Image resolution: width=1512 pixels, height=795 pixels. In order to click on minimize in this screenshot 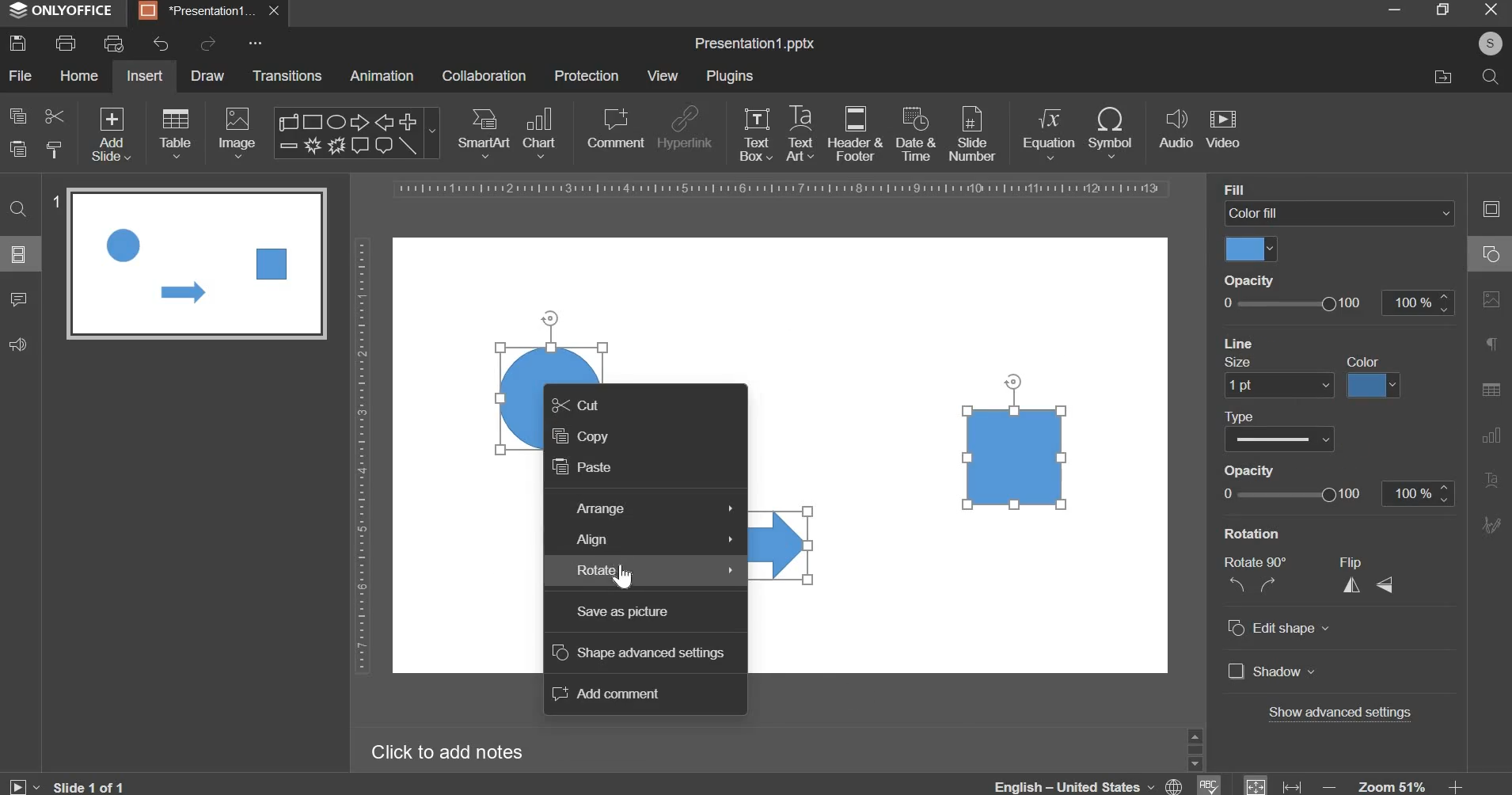, I will do `click(1393, 9)`.